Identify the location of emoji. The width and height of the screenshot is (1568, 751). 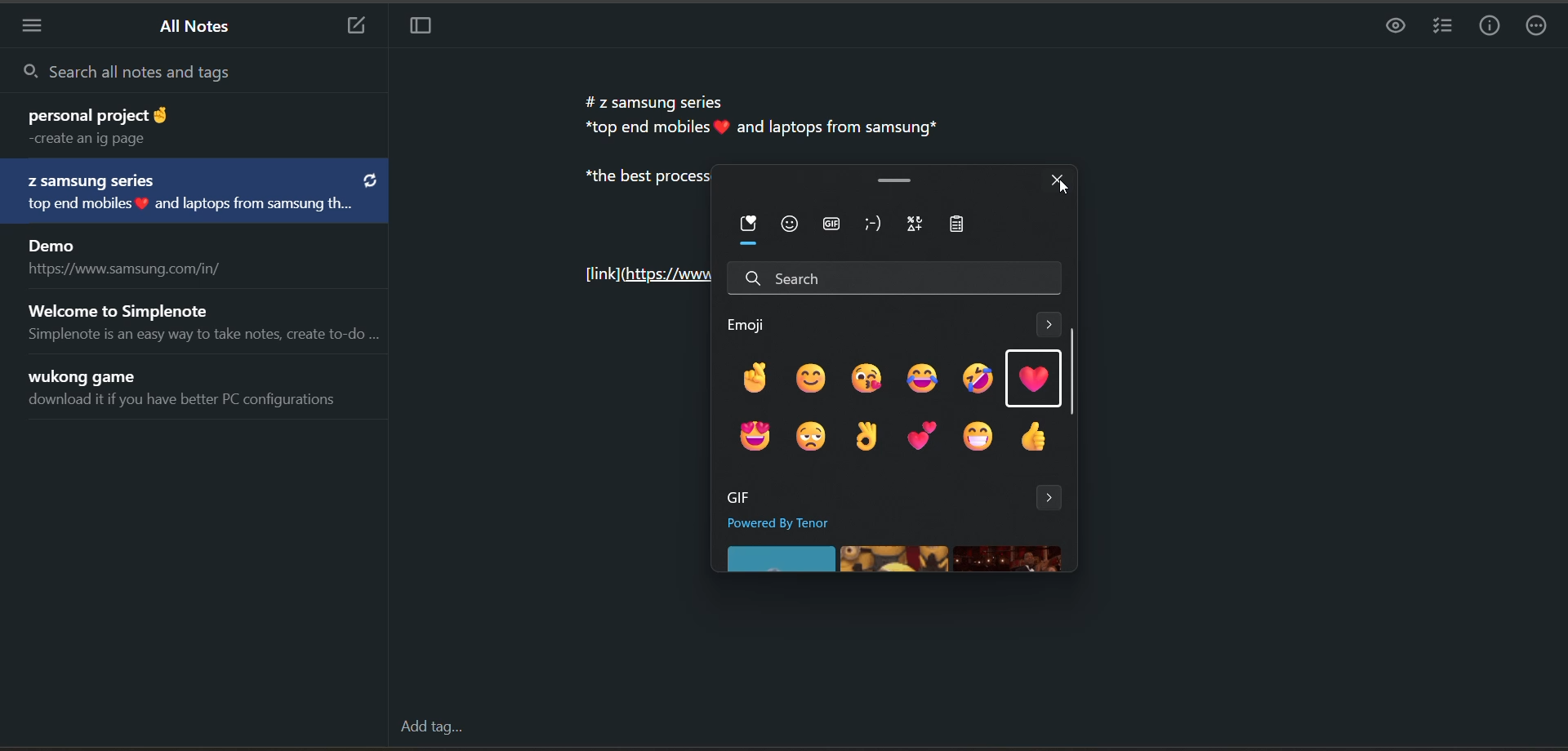
(791, 224).